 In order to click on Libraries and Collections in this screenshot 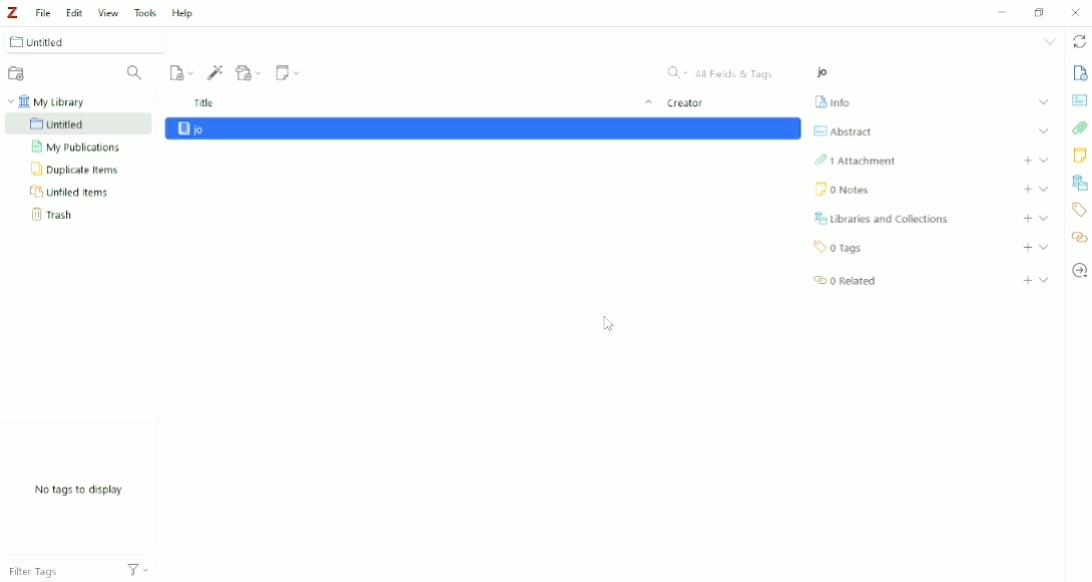, I will do `click(1079, 184)`.